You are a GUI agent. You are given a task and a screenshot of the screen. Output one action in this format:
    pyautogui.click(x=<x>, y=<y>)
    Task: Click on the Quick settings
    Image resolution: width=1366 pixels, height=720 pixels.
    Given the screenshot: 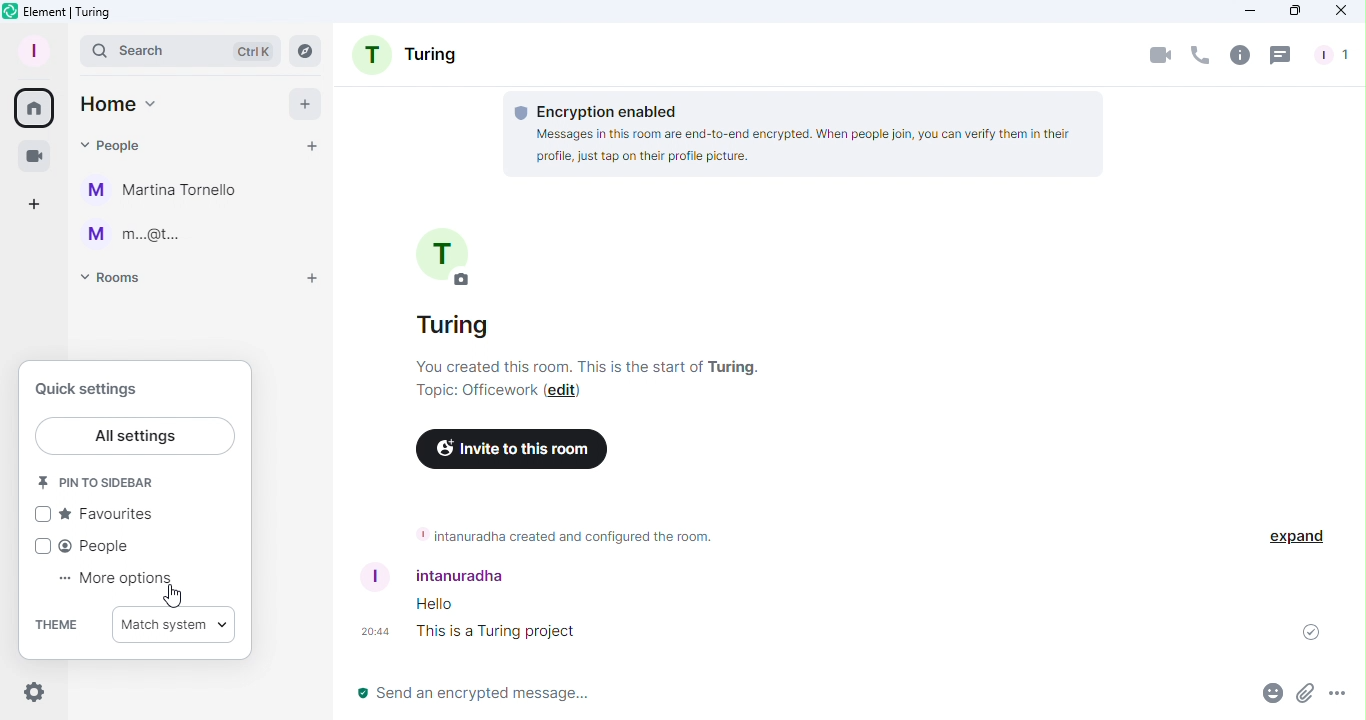 What is the action you would take?
    pyautogui.click(x=32, y=694)
    